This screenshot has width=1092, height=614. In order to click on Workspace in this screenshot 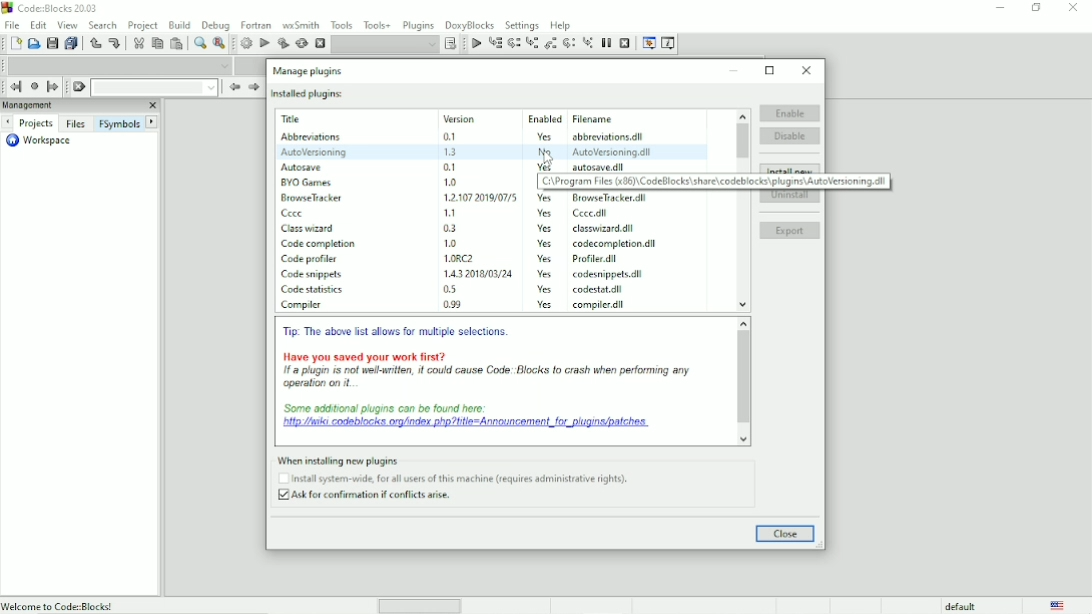, I will do `click(41, 141)`.